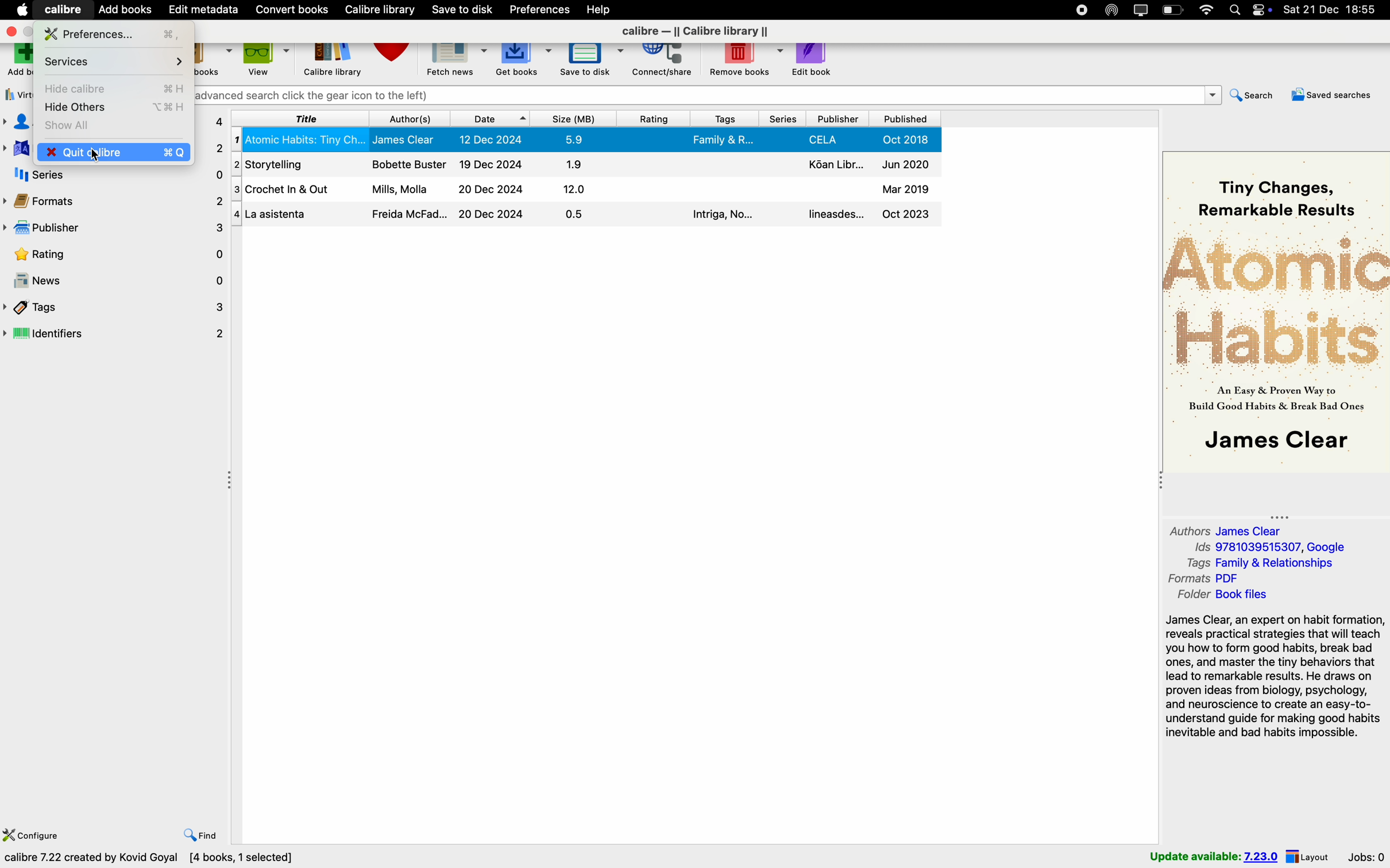  What do you see at coordinates (408, 119) in the screenshot?
I see `author(s)` at bounding box center [408, 119].